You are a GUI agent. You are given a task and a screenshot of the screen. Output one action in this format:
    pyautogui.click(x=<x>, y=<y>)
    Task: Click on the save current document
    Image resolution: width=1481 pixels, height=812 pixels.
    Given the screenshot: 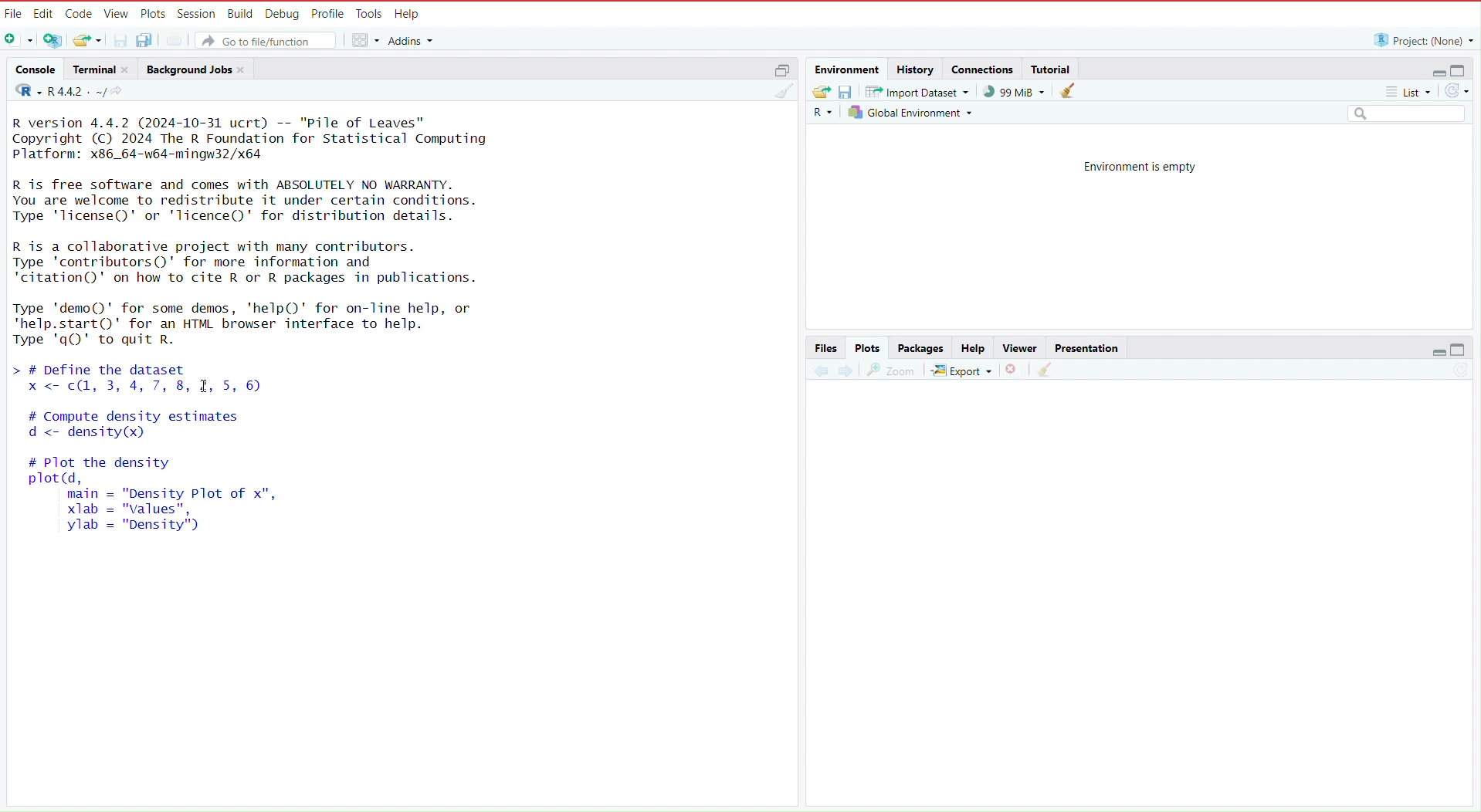 What is the action you would take?
    pyautogui.click(x=121, y=40)
    